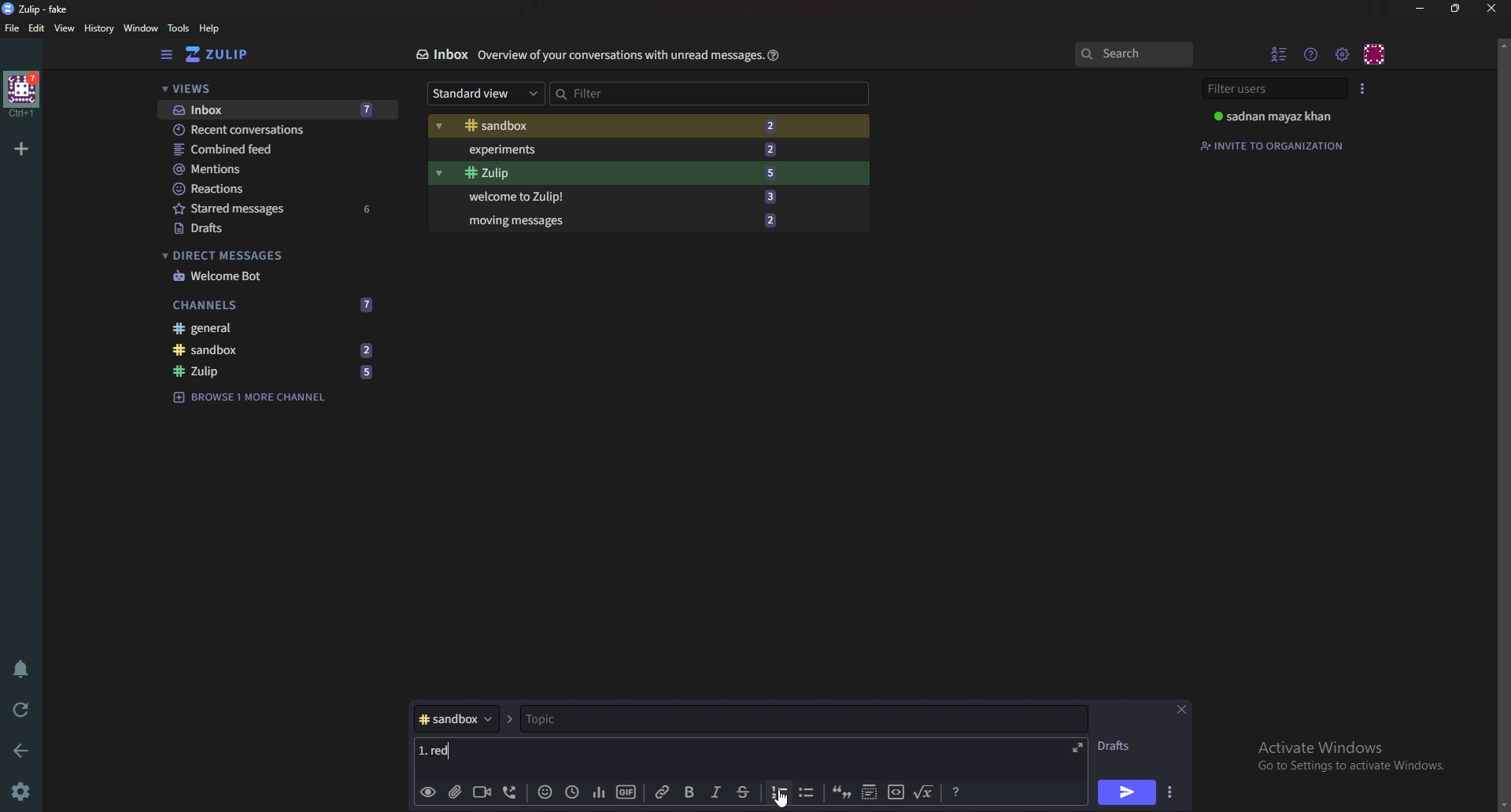 This screenshot has width=1511, height=812. What do you see at coordinates (771, 55) in the screenshot?
I see `Help` at bounding box center [771, 55].